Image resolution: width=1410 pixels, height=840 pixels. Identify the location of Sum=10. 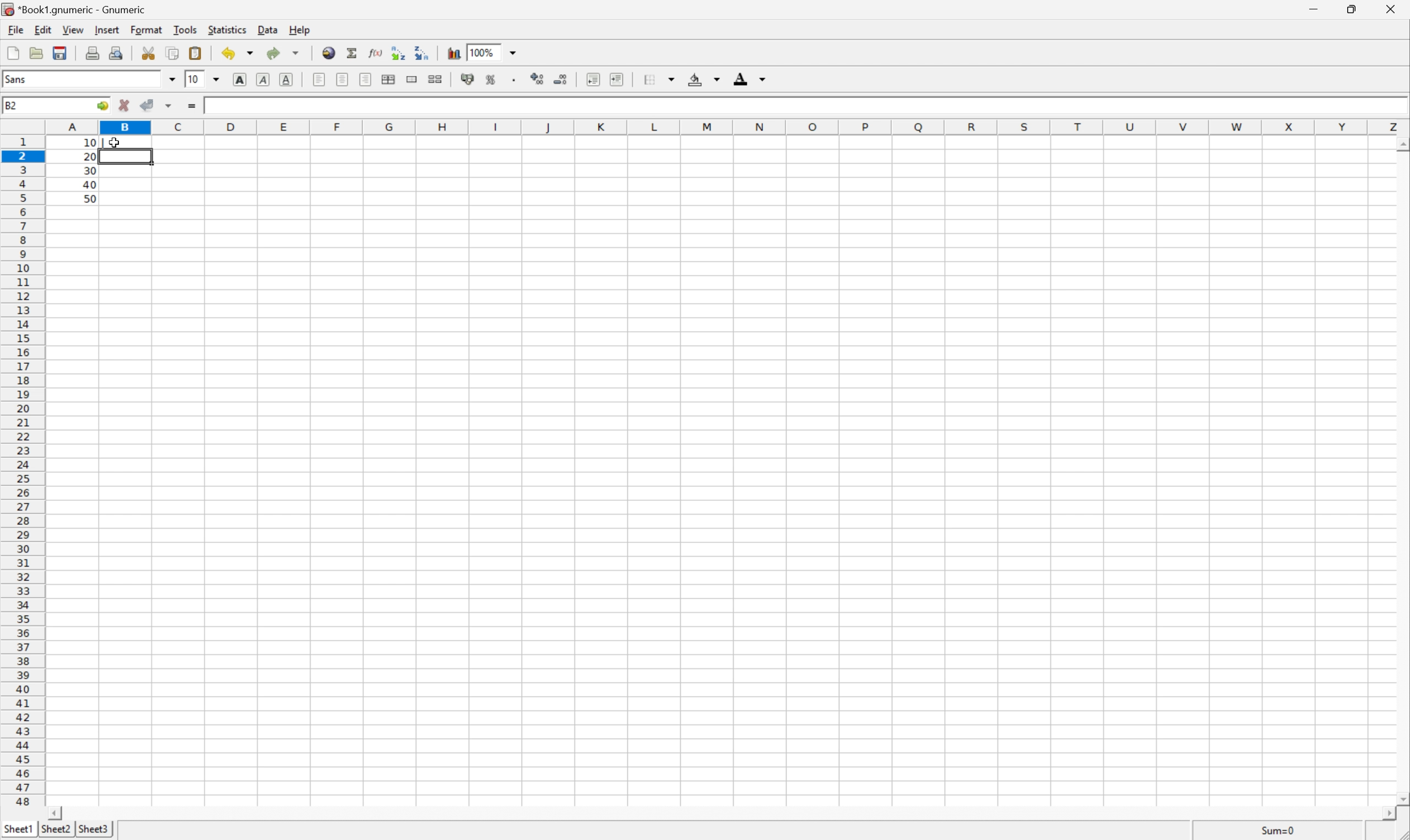
(1279, 828).